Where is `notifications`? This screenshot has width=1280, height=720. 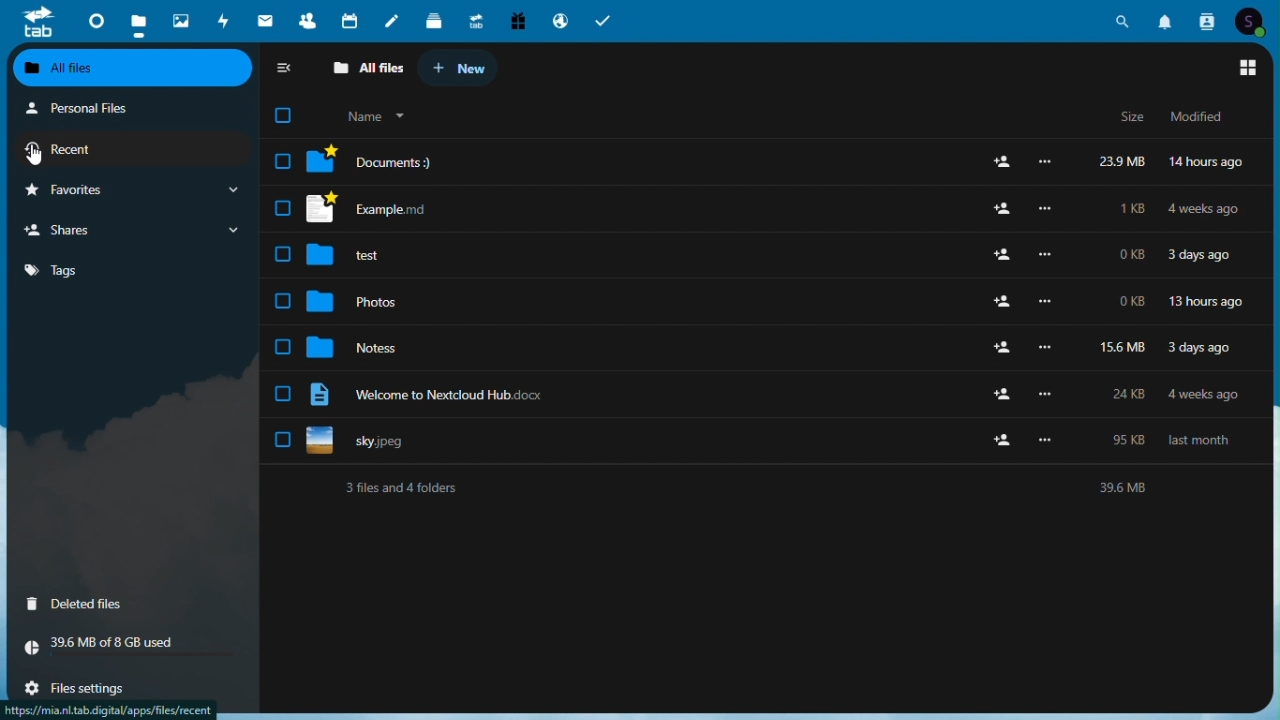 notifications is located at coordinates (1166, 22).